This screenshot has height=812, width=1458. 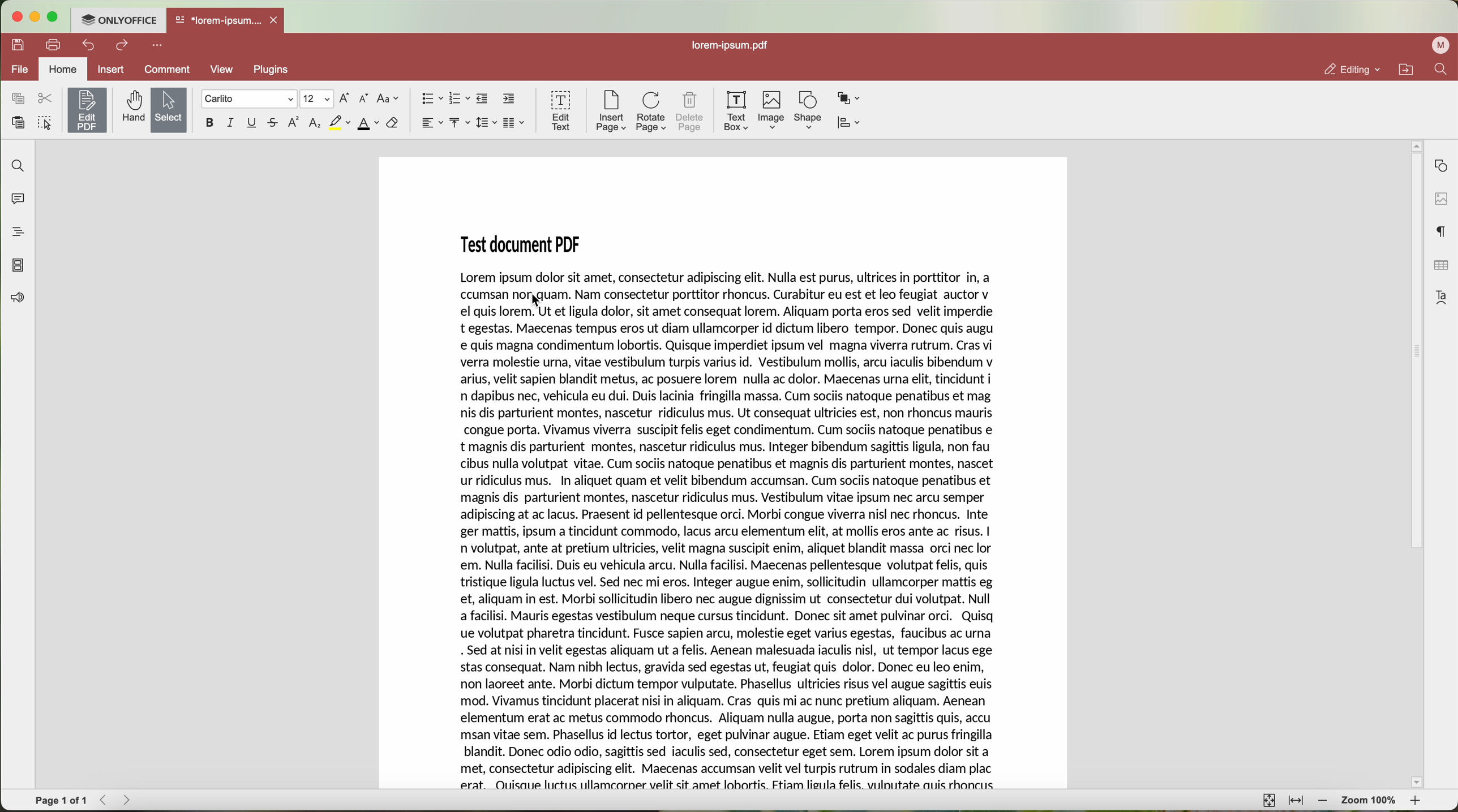 What do you see at coordinates (1442, 231) in the screenshot?
I see `paragraph settings` at bounding box center [1442, 231].